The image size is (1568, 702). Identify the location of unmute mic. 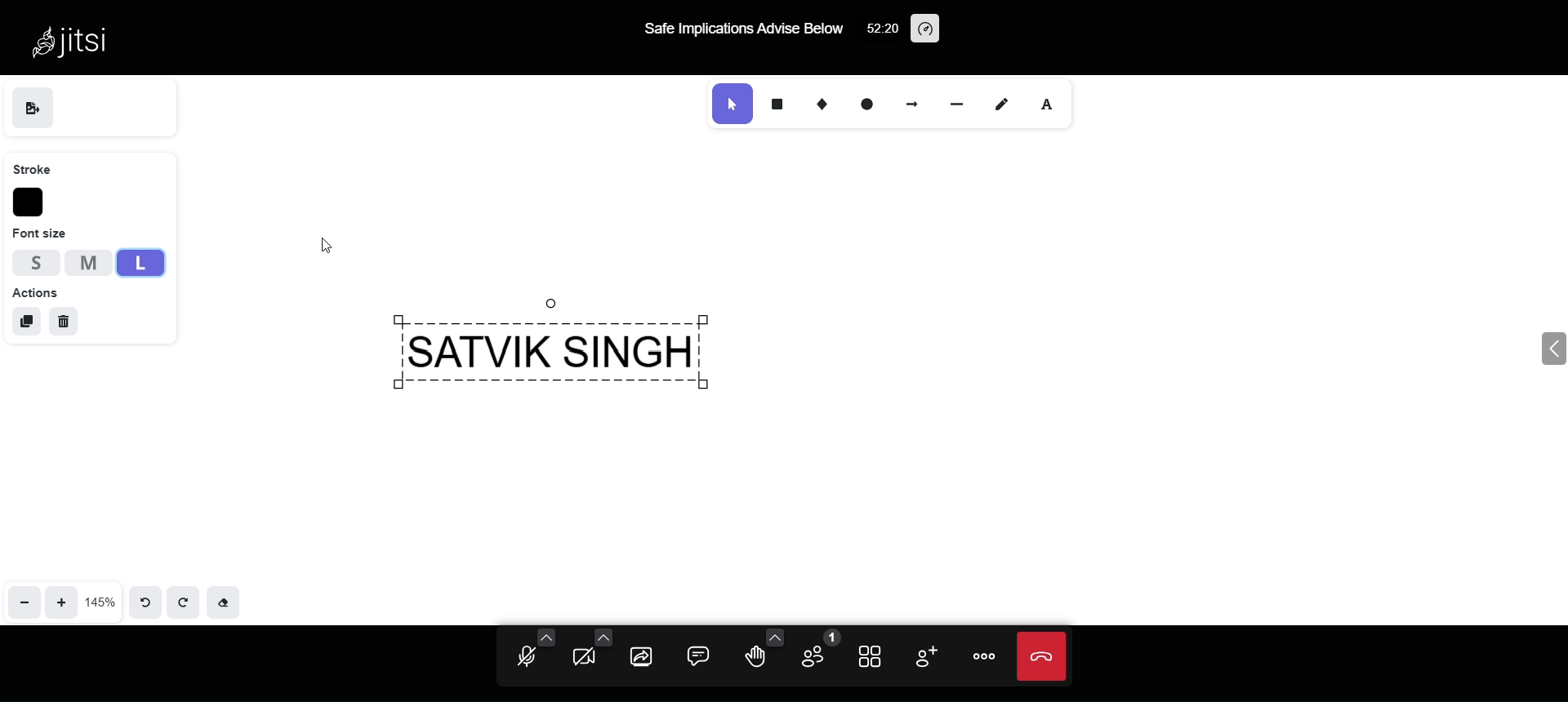
(523, 652).